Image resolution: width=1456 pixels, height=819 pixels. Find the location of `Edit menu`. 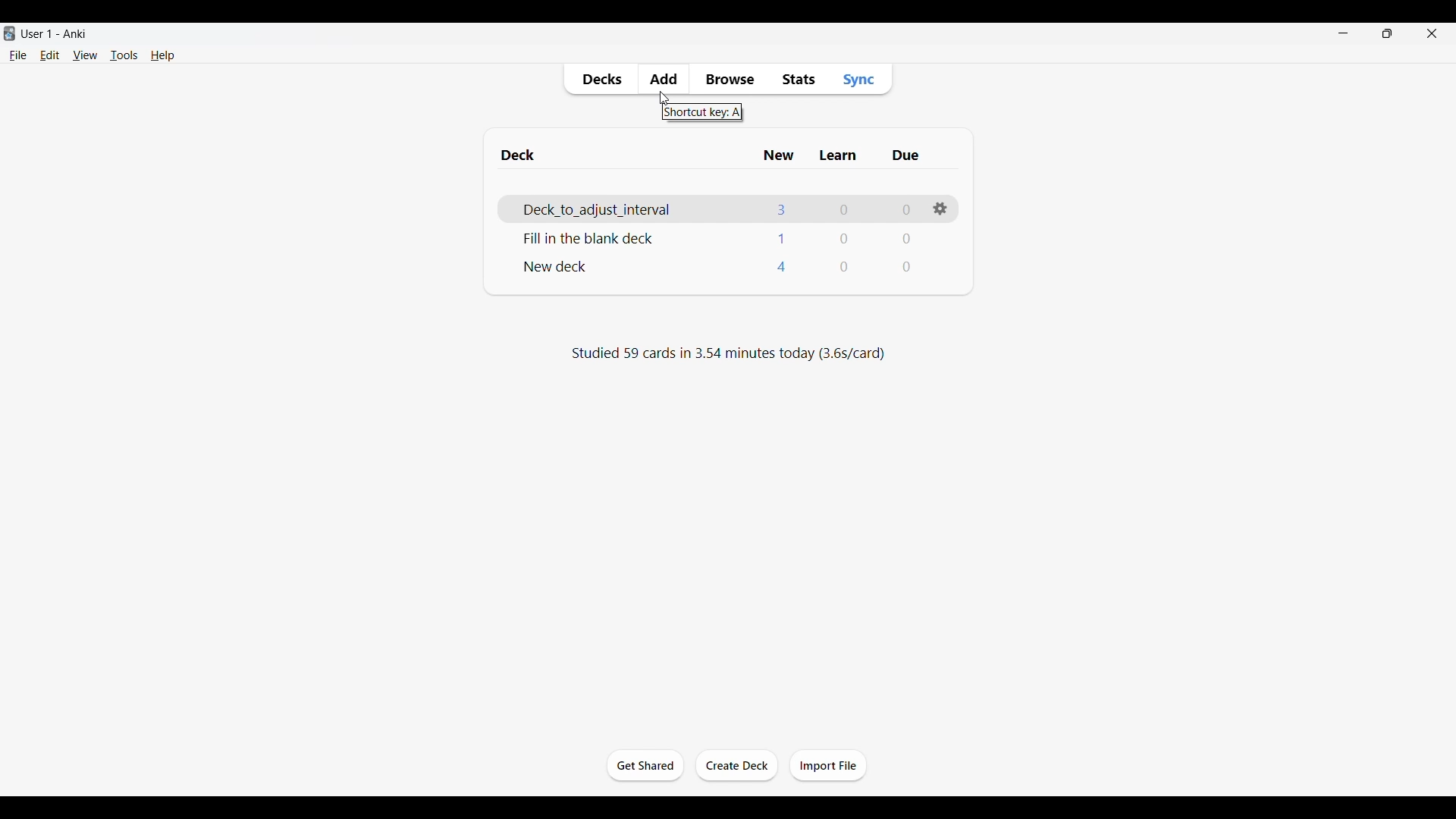

Edit menu is located at coordinates (50, 55).